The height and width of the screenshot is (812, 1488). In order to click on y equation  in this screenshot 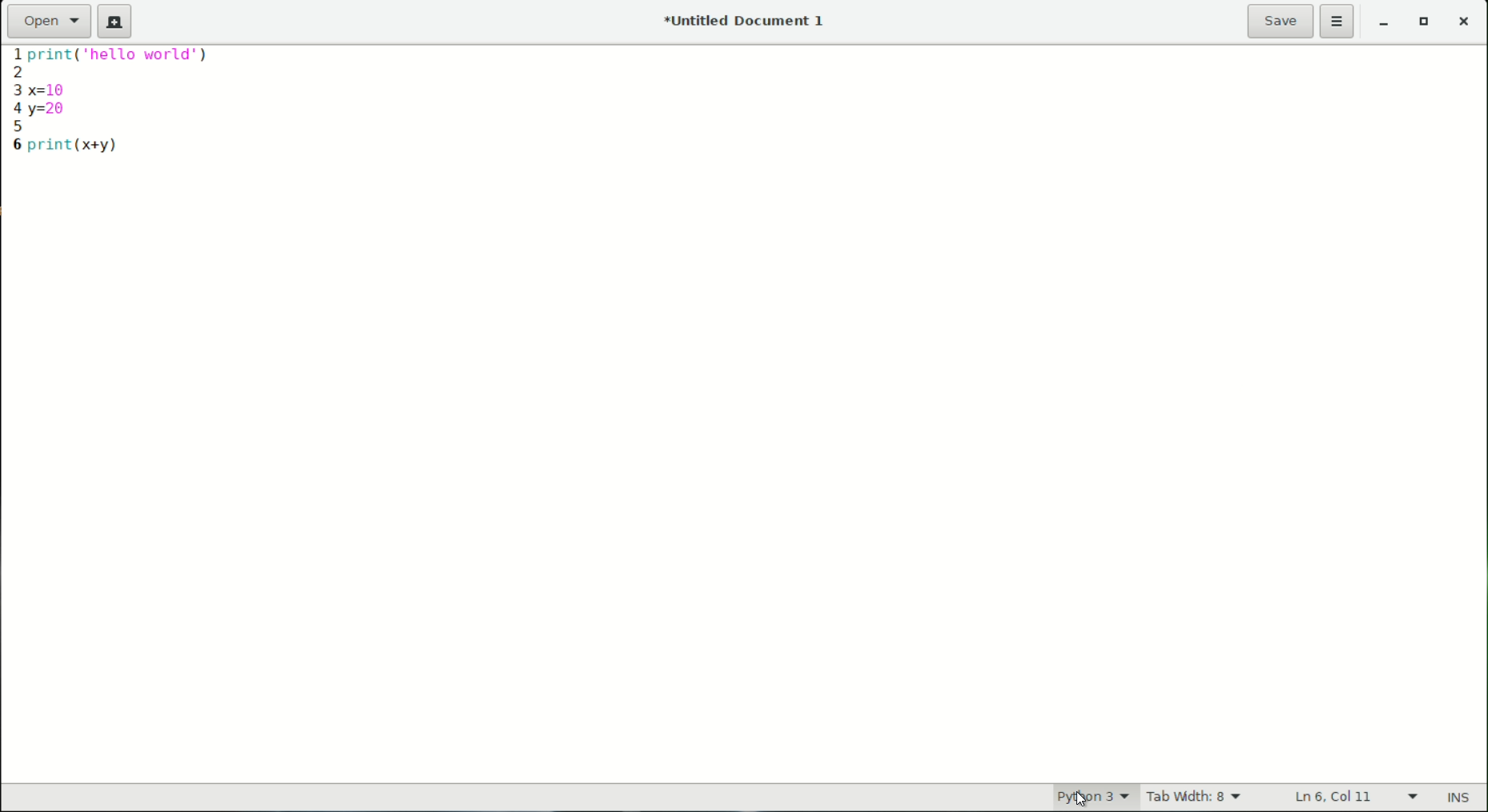, I will do `click(51, 110)`.